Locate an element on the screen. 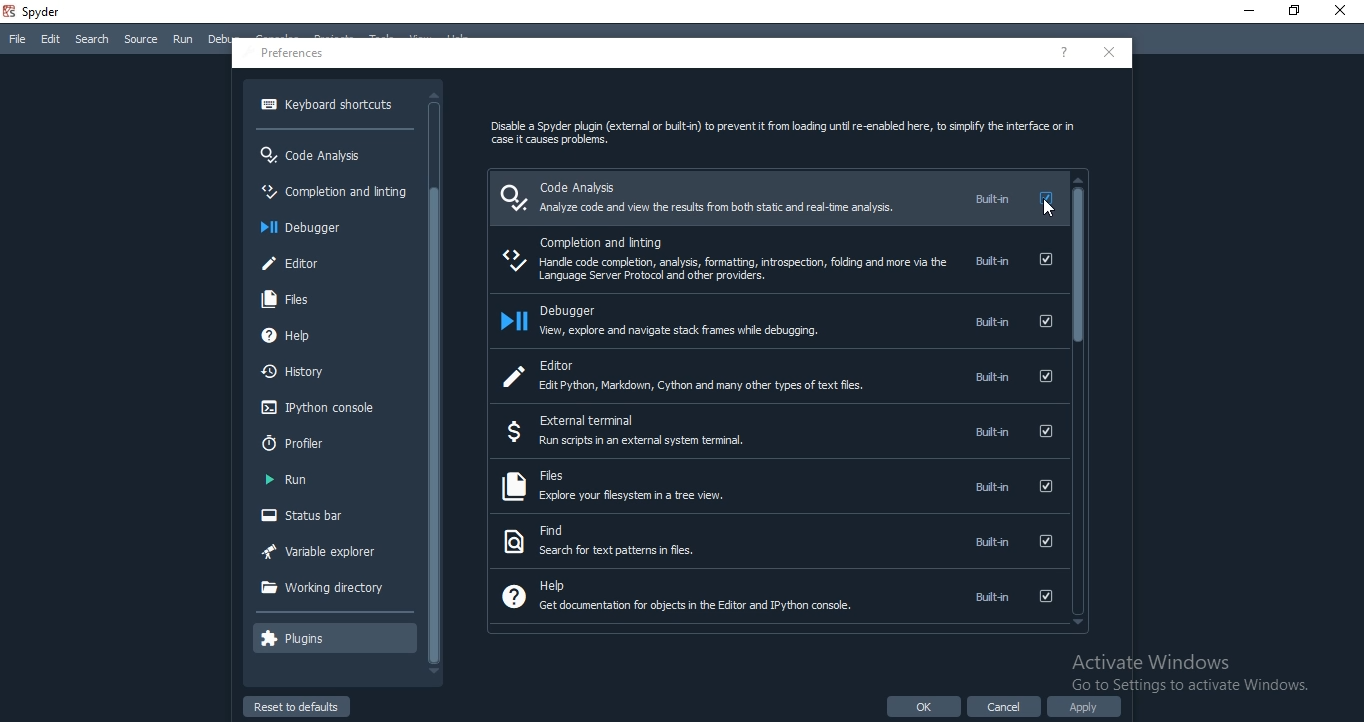 The image size is (1364, 722). preferences is located at coordinates (293, 54).